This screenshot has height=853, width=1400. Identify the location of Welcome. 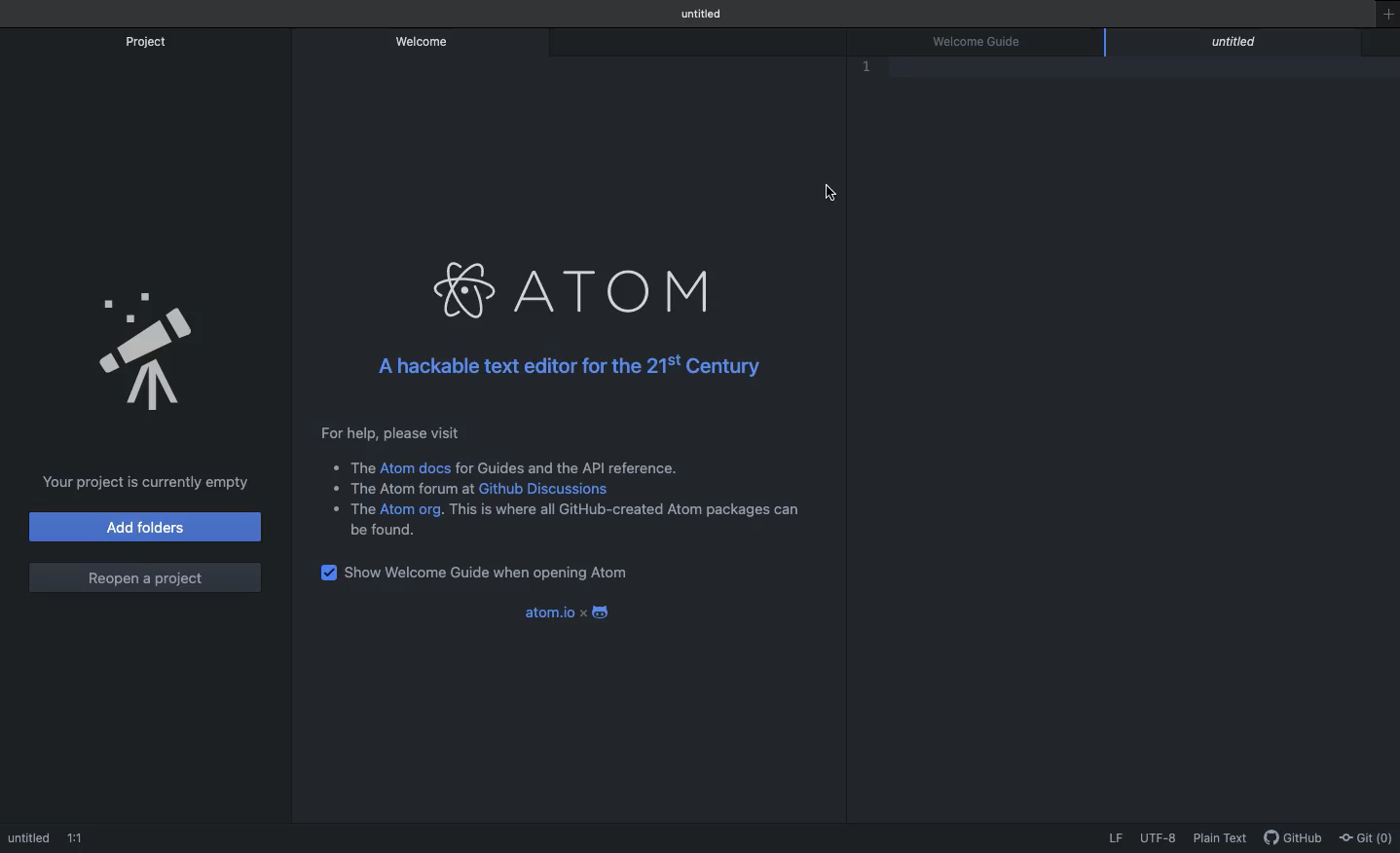
(425, 45).